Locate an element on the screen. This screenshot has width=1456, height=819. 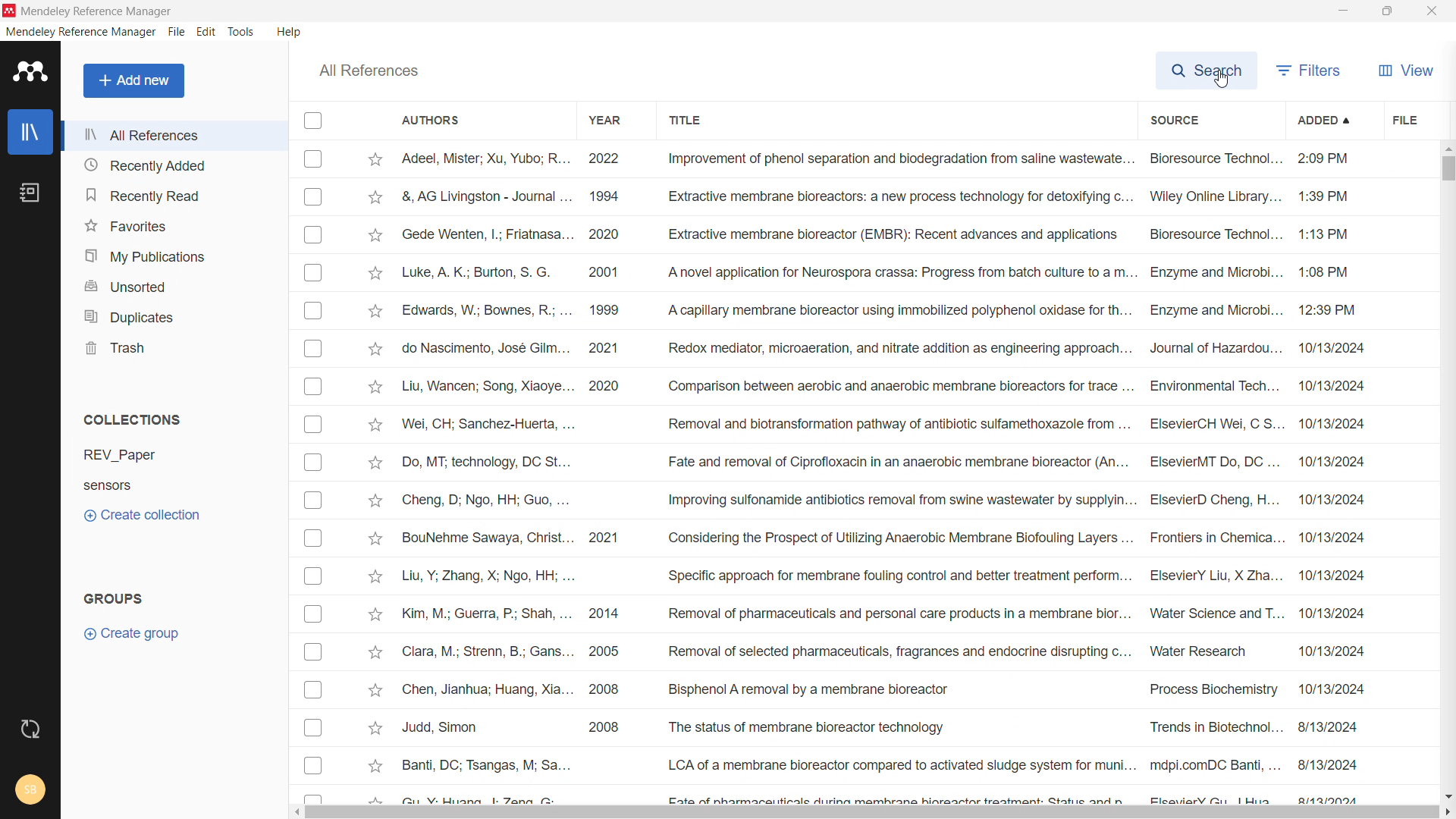
Checkbox is located at coordinates (314, 460).